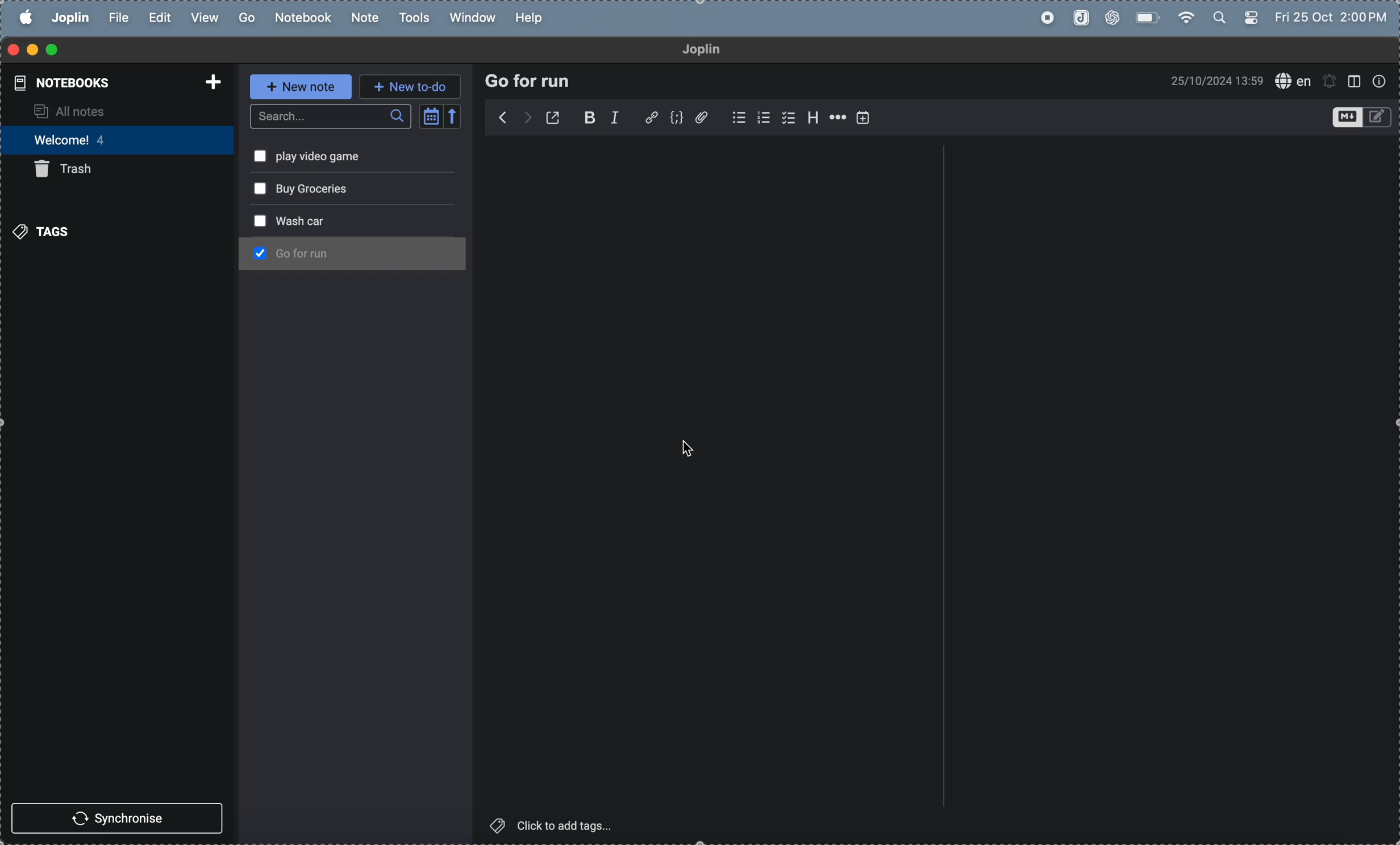  What do you see at coordinates (327, 117) in the screenshot?
I see `search` at bounding box center [327, 117].